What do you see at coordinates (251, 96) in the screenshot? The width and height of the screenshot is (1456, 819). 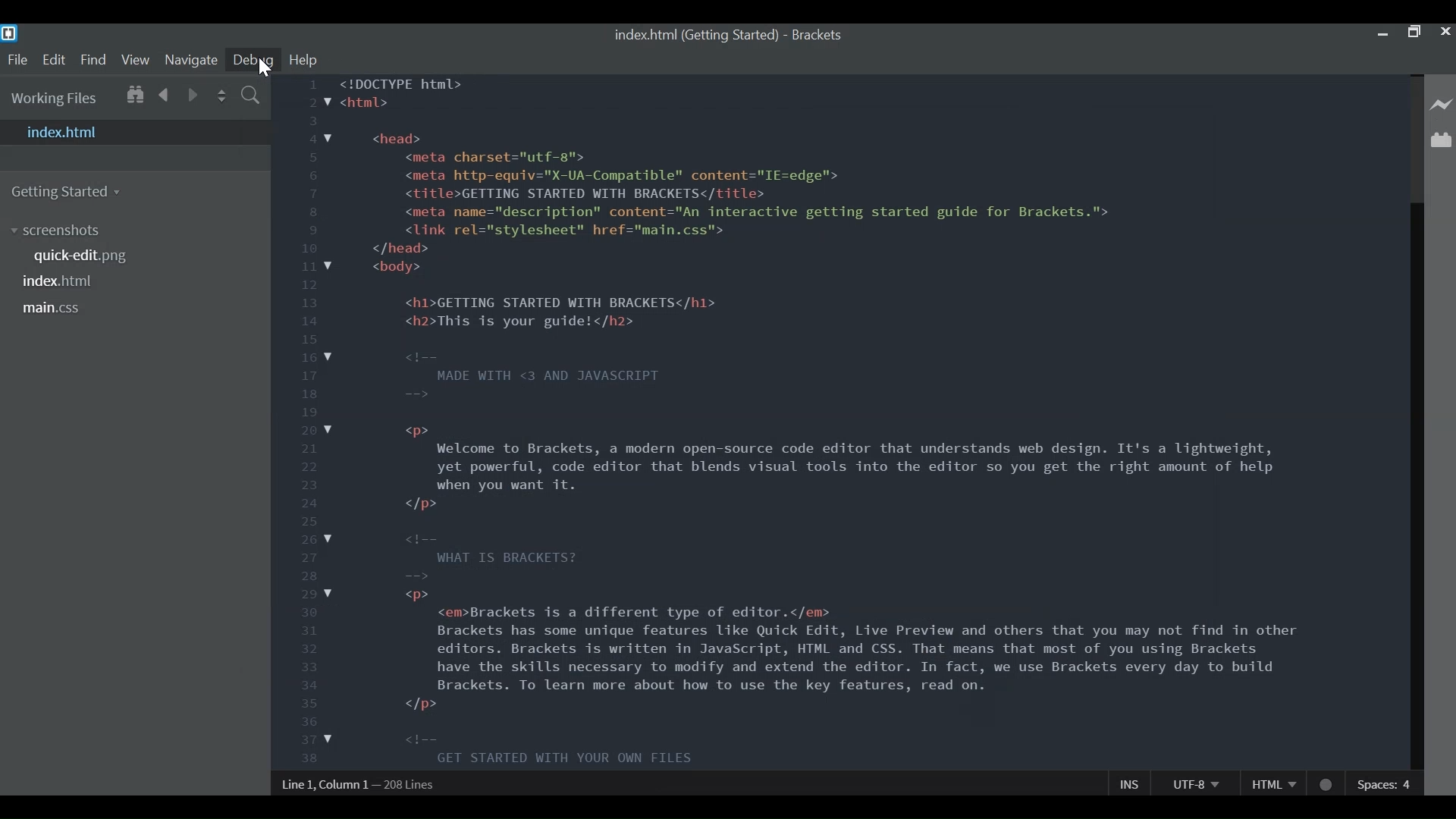 I see `Find` at bounding box center [251, 96].